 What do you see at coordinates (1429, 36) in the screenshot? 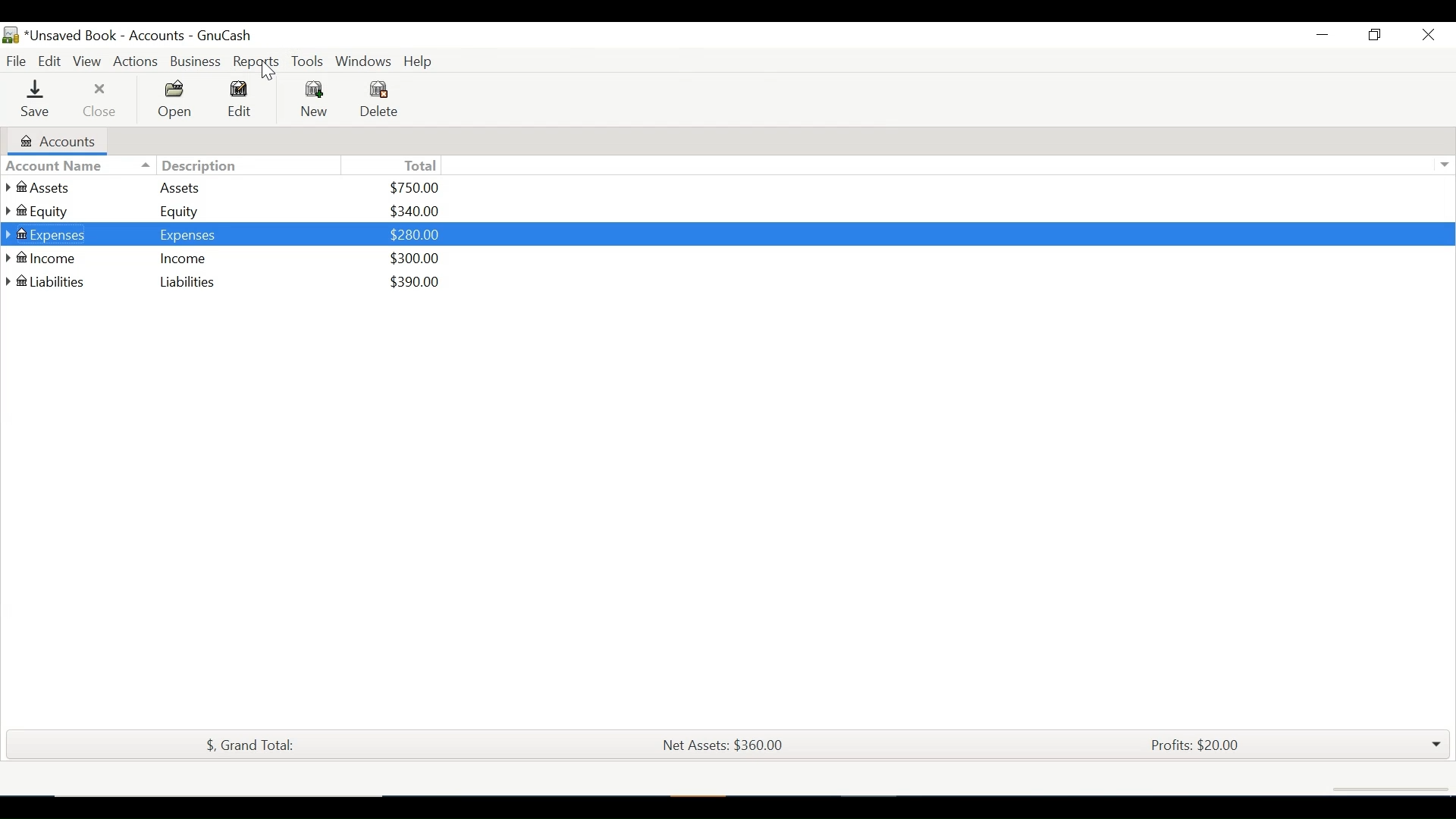
I see `Close` at bounding box center [1429, 36].